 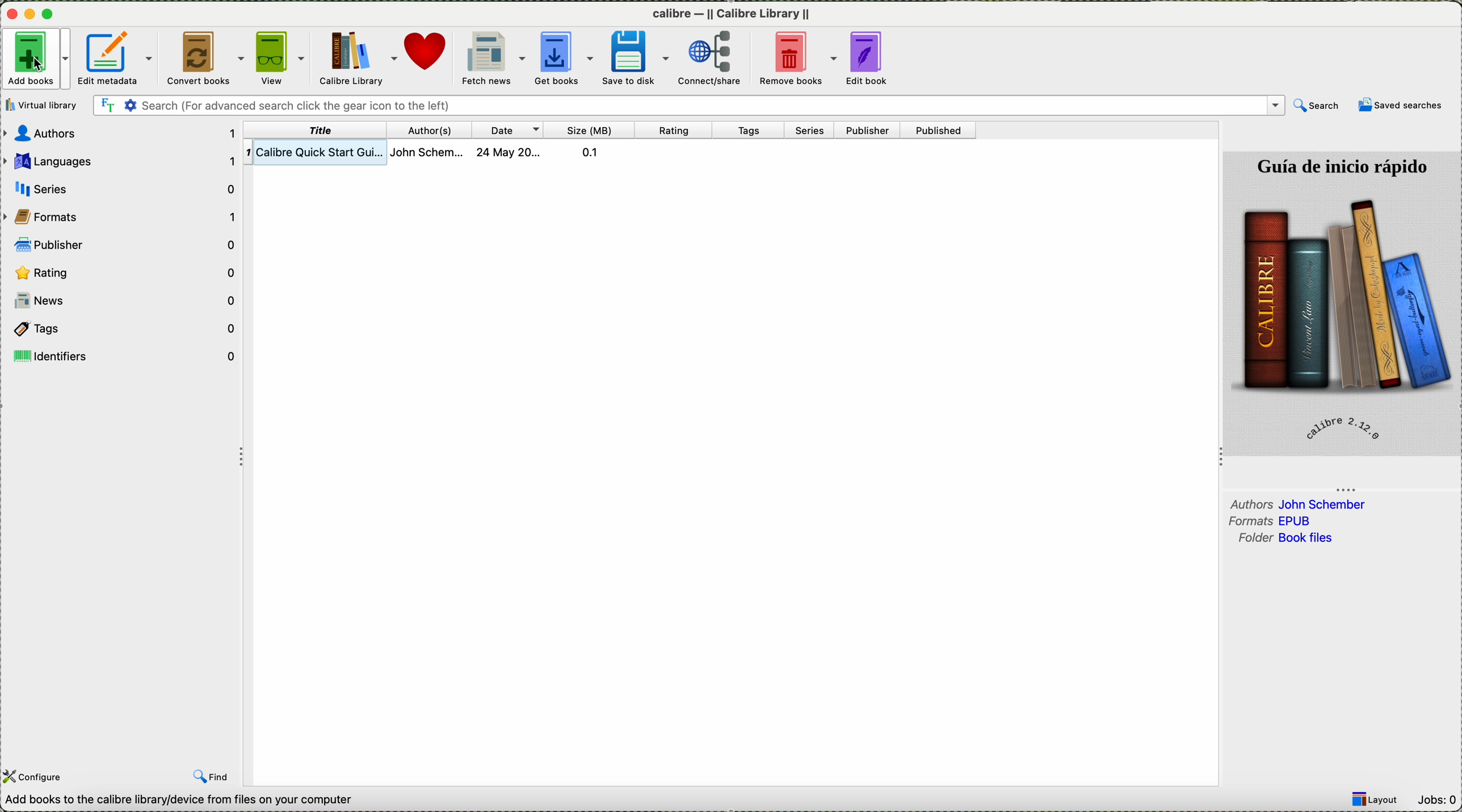 What do you see at coordinates (797, 59) in the screenshot?
I see `remove books` at bounding box center [797, 59].